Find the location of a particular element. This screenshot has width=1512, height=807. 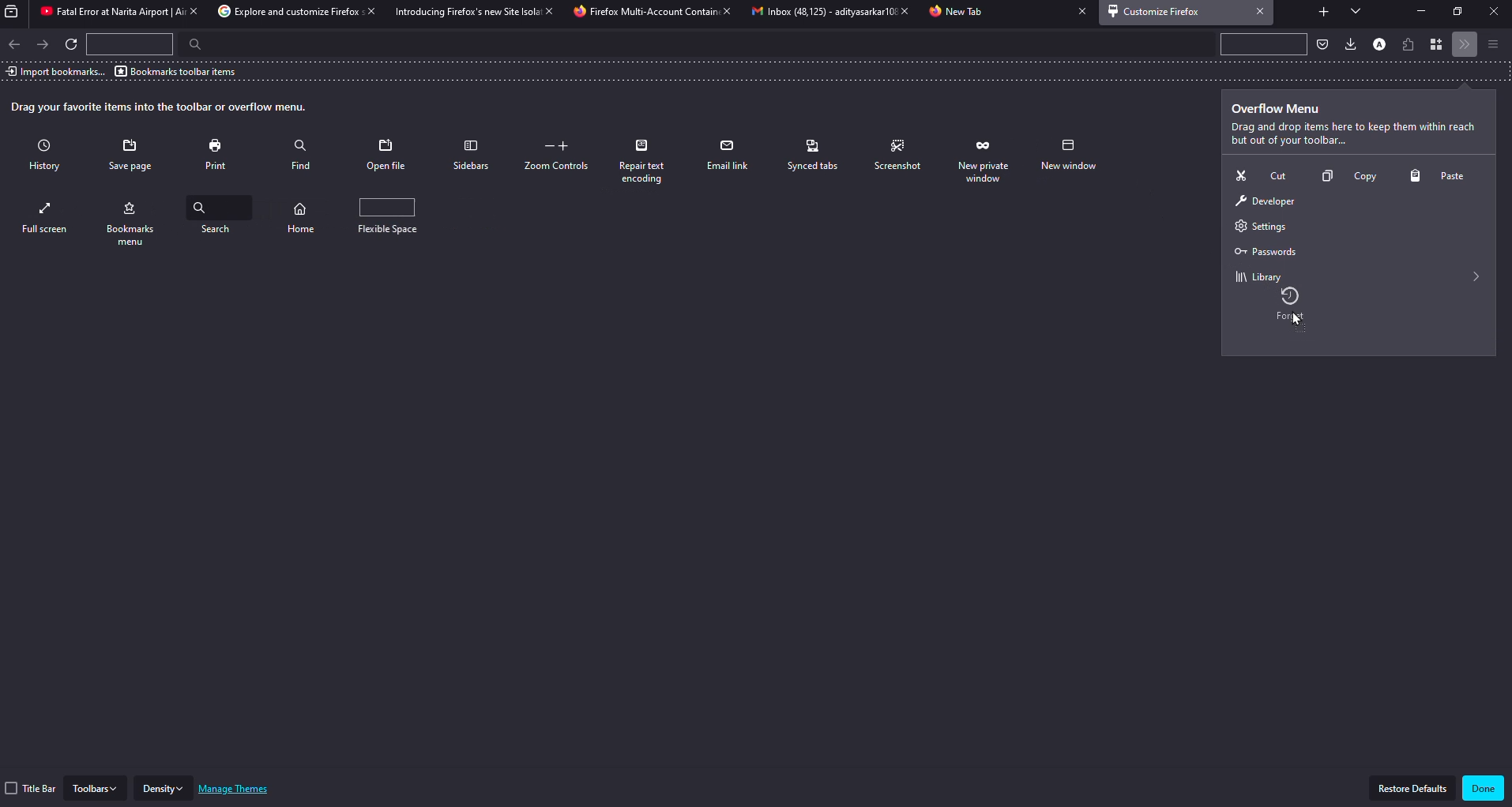

synced tabs is located at coordinates (814, 155).